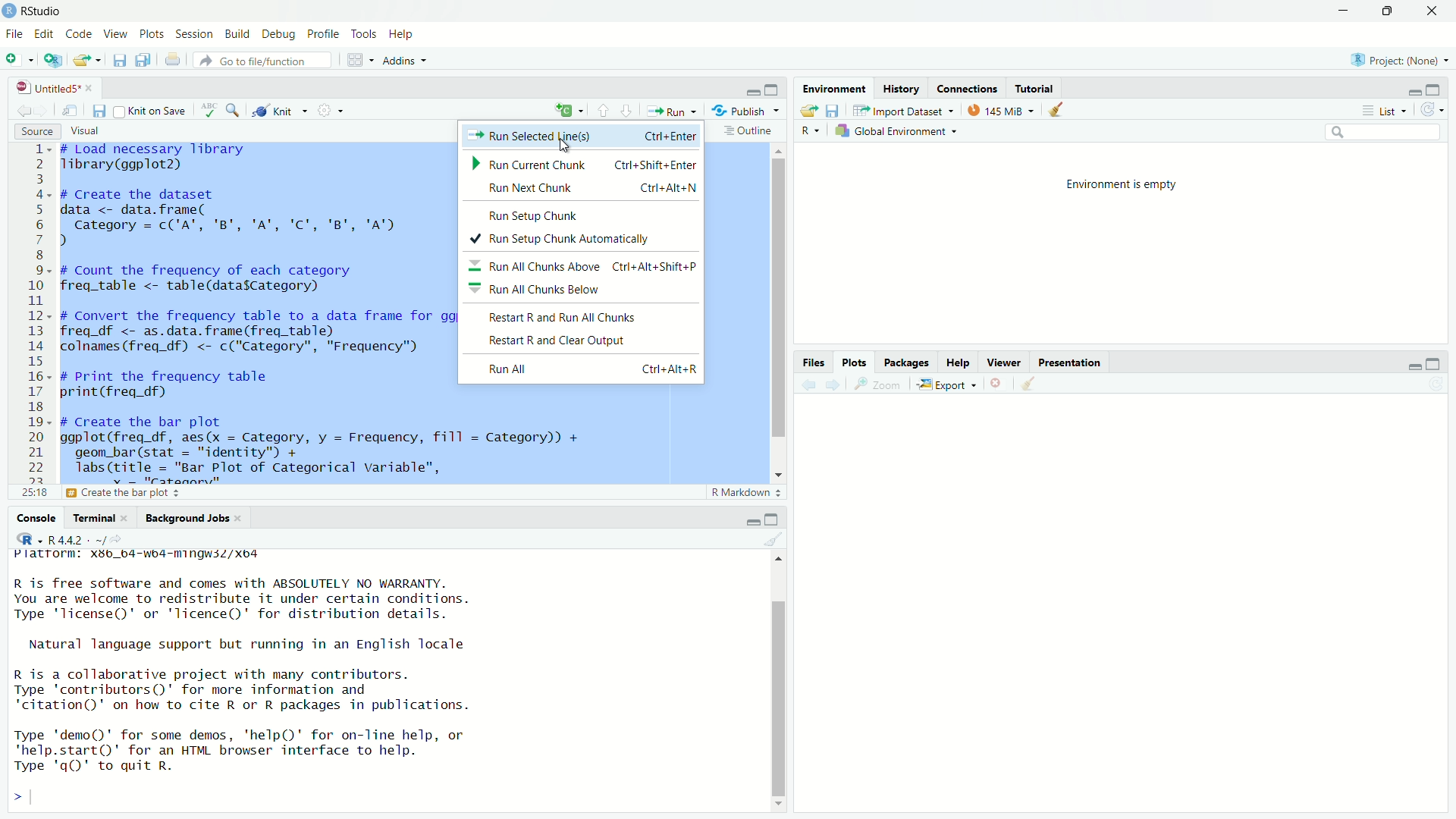  Describe the element at coordinates (406, 63) in the screenshot. I see `Addins` at that location.